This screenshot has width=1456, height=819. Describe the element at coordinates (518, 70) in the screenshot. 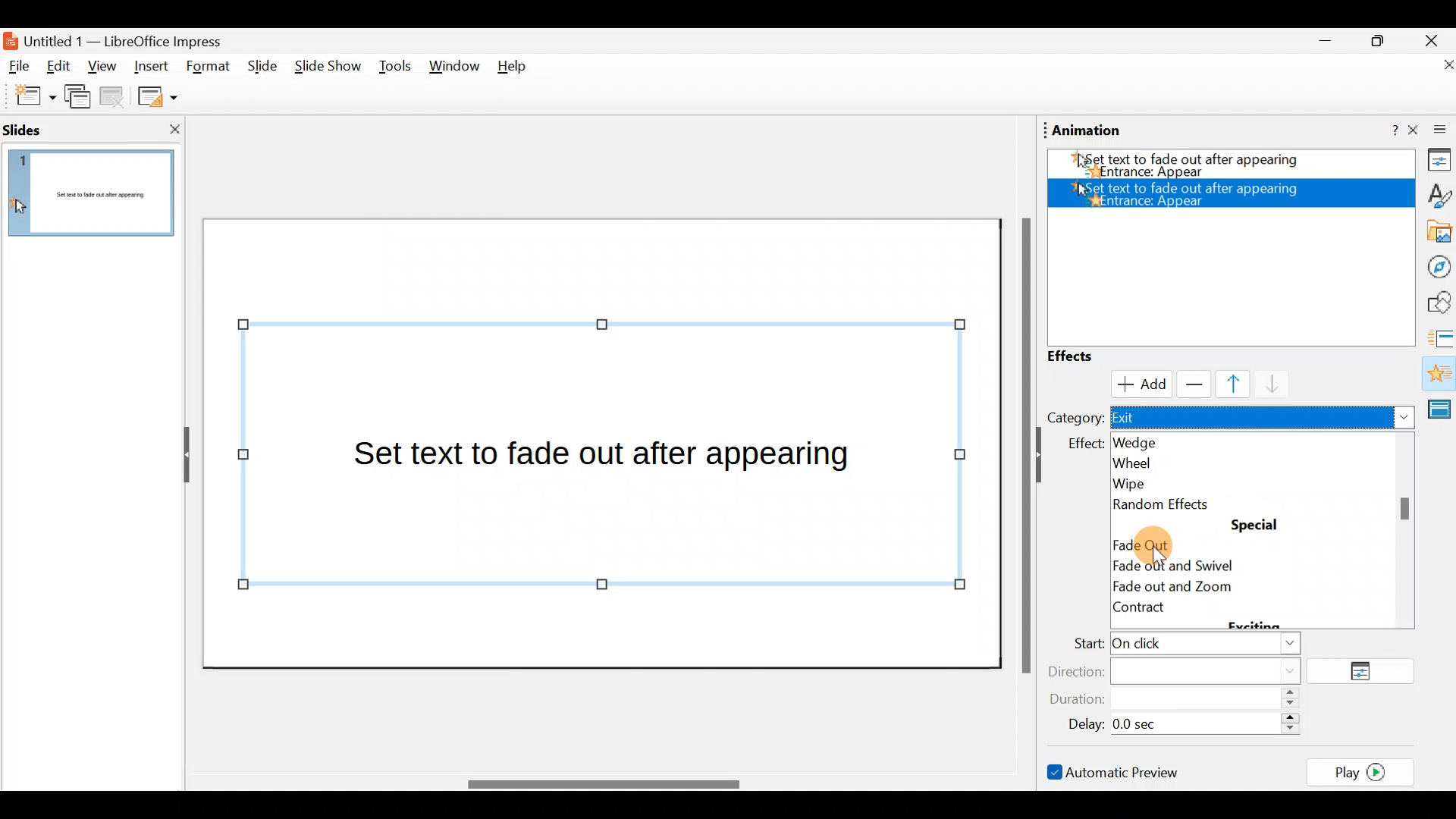

I see `Help` at that location.